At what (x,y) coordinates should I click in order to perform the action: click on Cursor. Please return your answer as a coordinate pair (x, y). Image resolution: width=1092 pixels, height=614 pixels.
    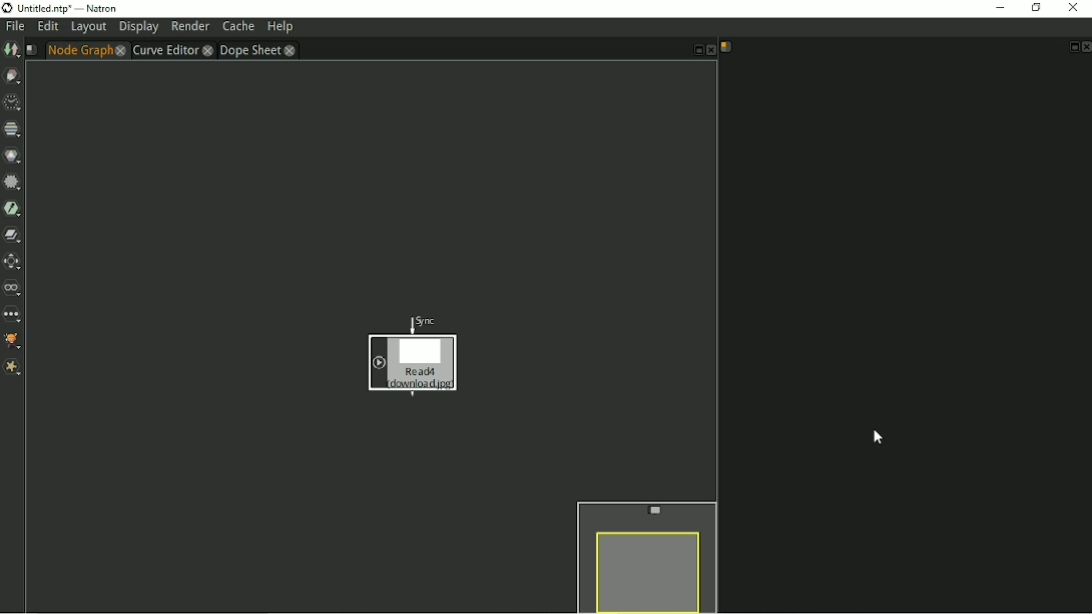
    Looking at the image, I should click on (877, 439).